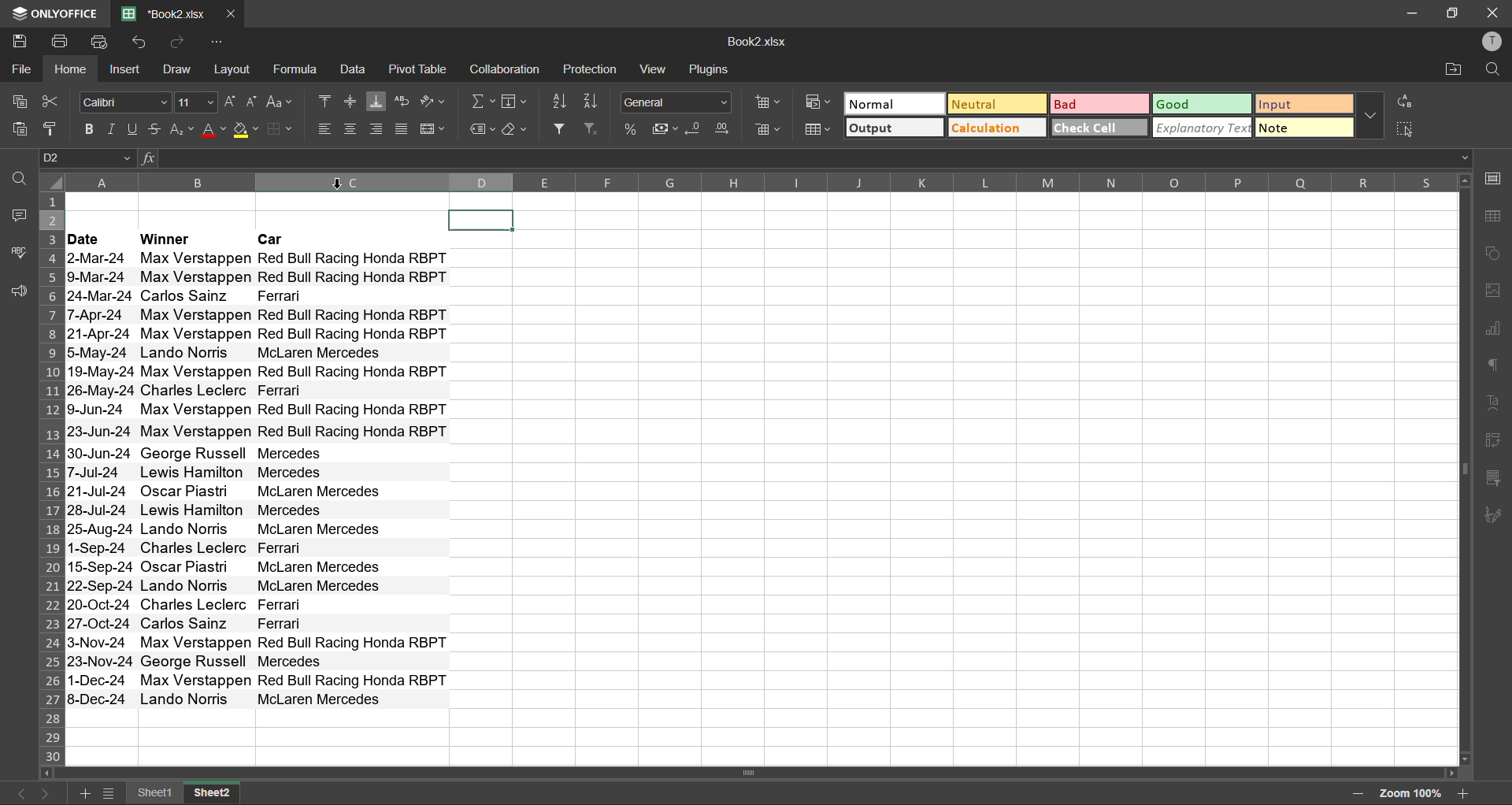  I want to click on redo, so click(184, 43).